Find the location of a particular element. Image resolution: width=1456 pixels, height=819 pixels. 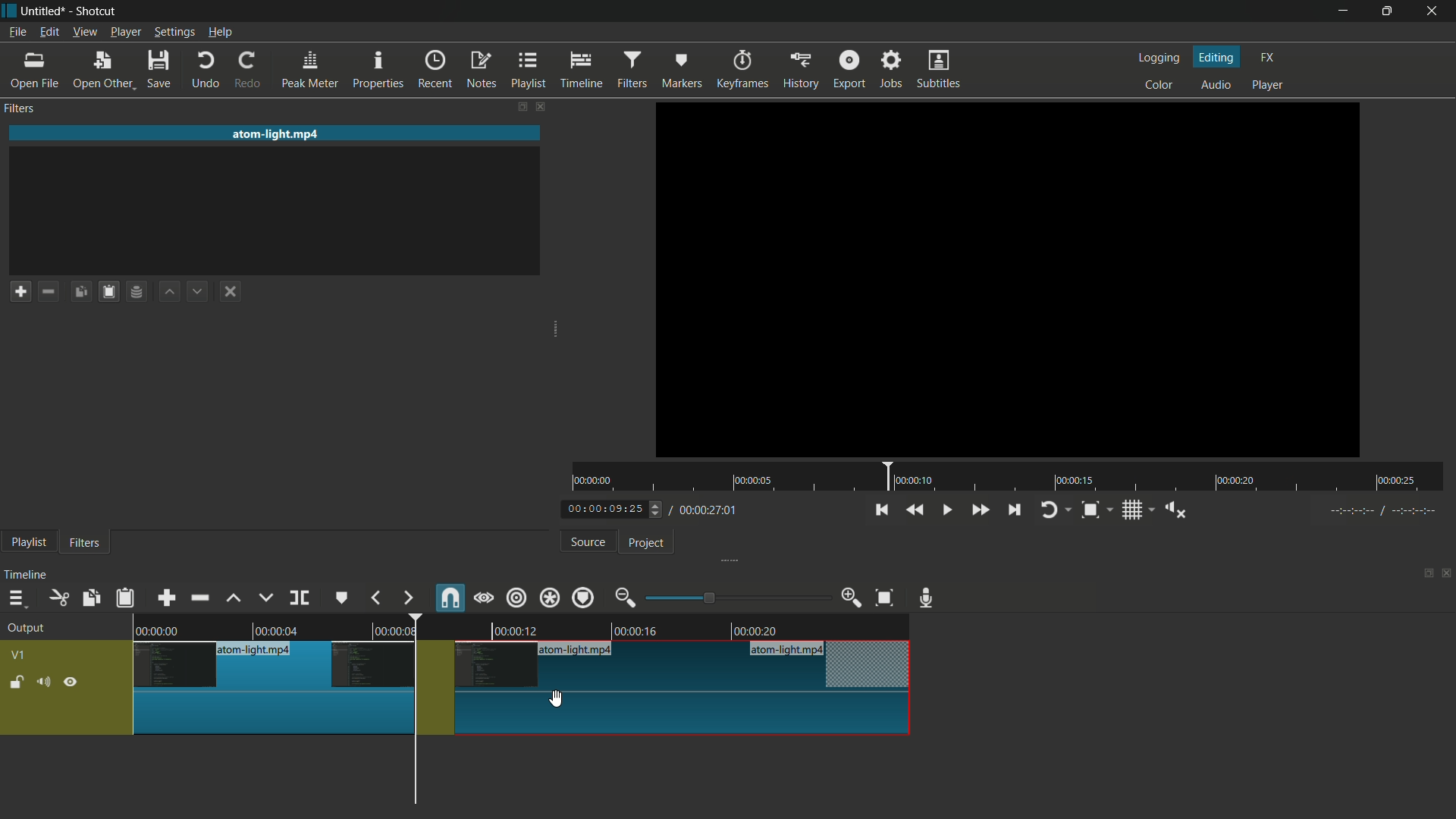

video track v1 is located at coordinates (519, 664).